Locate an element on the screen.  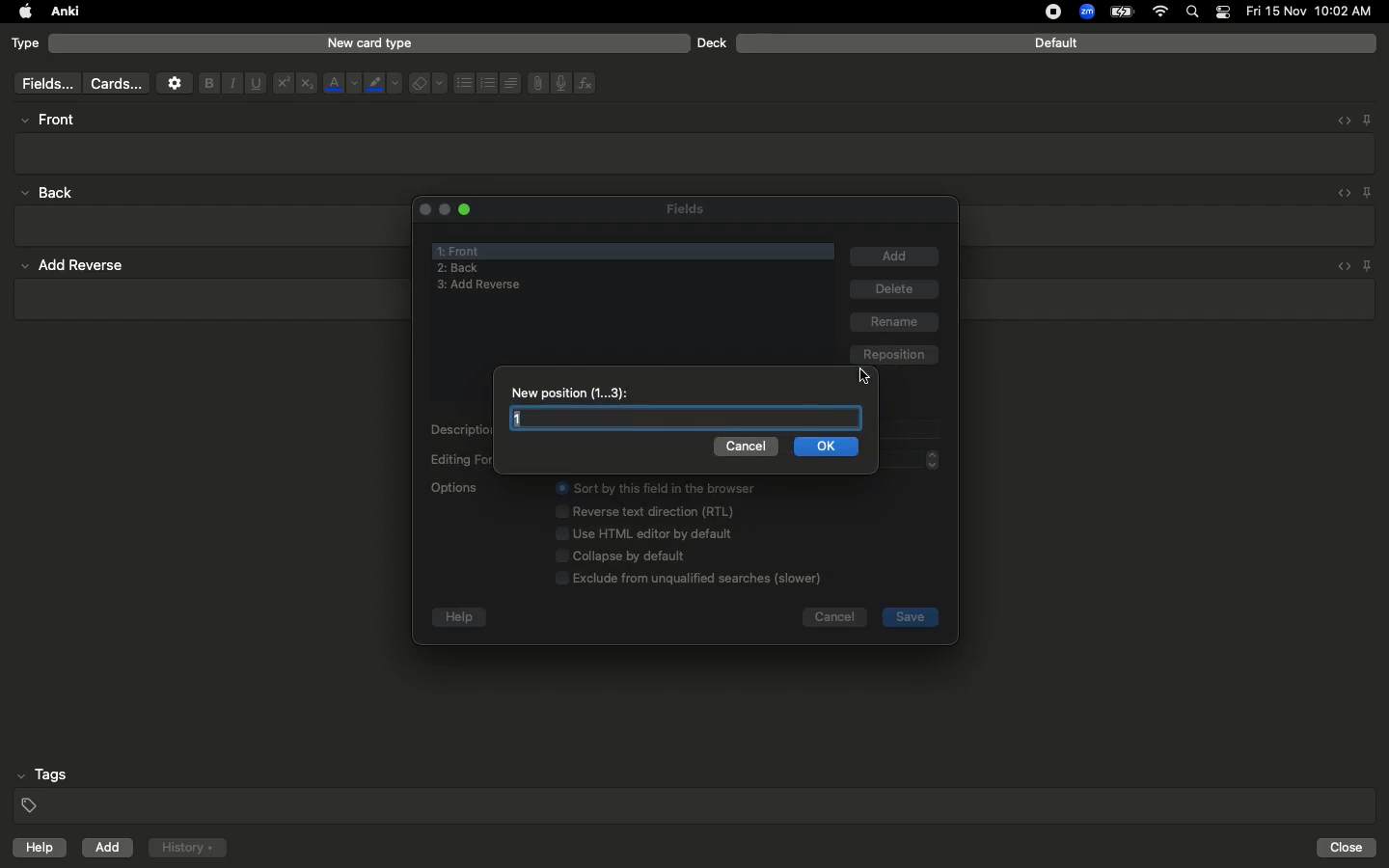
Front is located at coordinates (461, 249).